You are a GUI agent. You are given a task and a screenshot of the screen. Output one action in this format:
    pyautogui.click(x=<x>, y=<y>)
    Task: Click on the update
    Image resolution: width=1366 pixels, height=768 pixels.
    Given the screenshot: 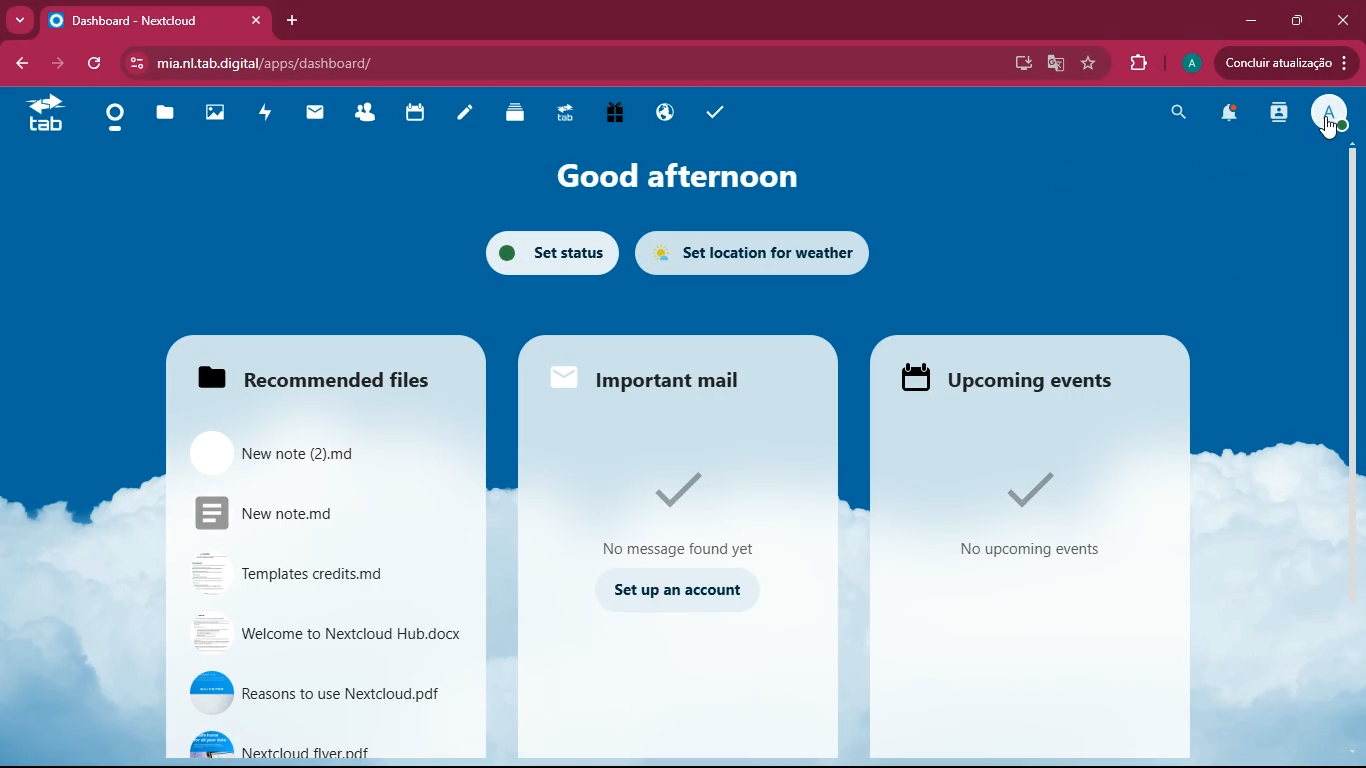 What is the action you would take?
    pyautogui.click(x=1287, y=64)
    